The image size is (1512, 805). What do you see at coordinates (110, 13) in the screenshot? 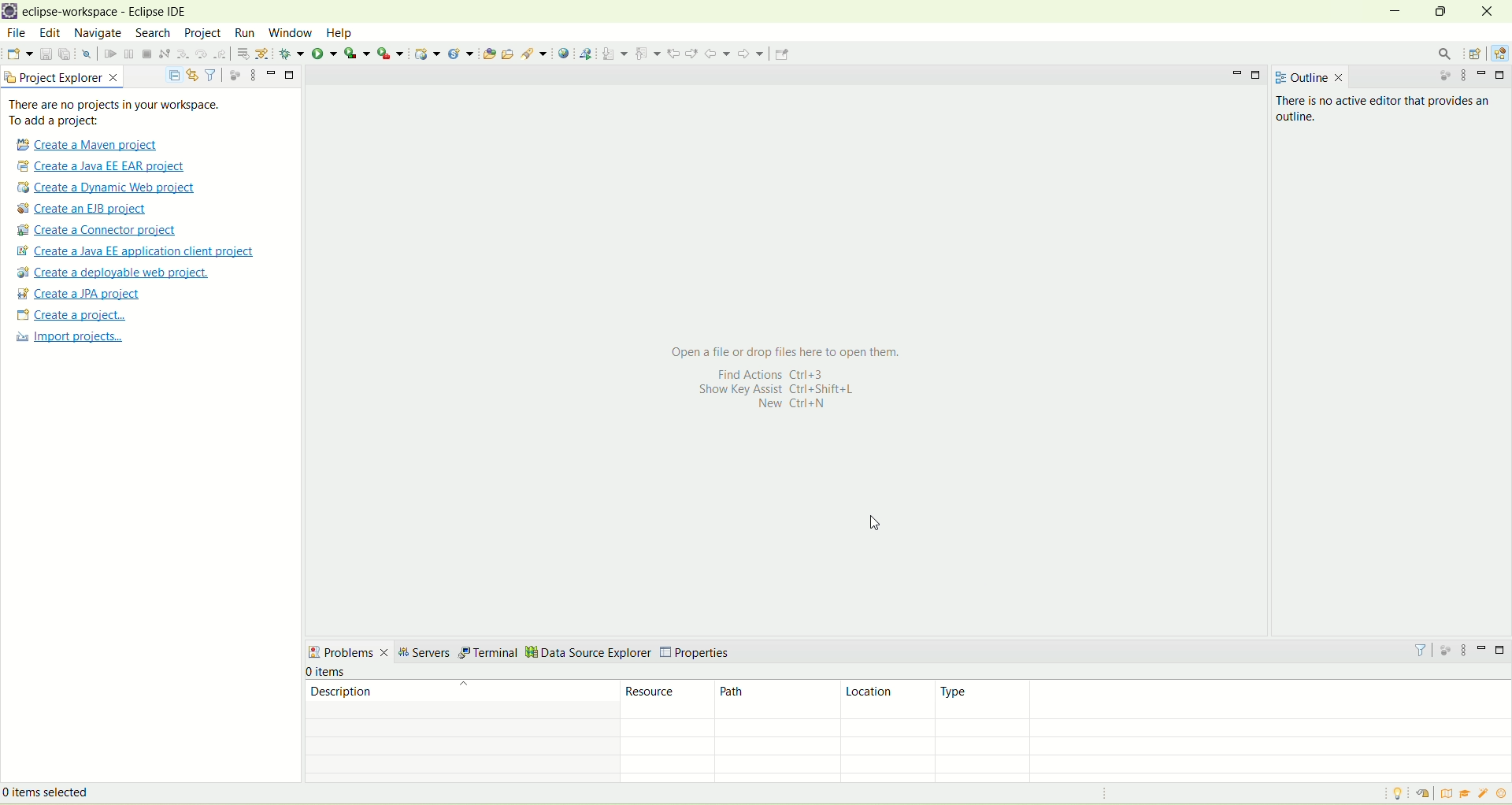
I see `eclipse workspace-Eclipse IDE` at bounding box center [110, 13].